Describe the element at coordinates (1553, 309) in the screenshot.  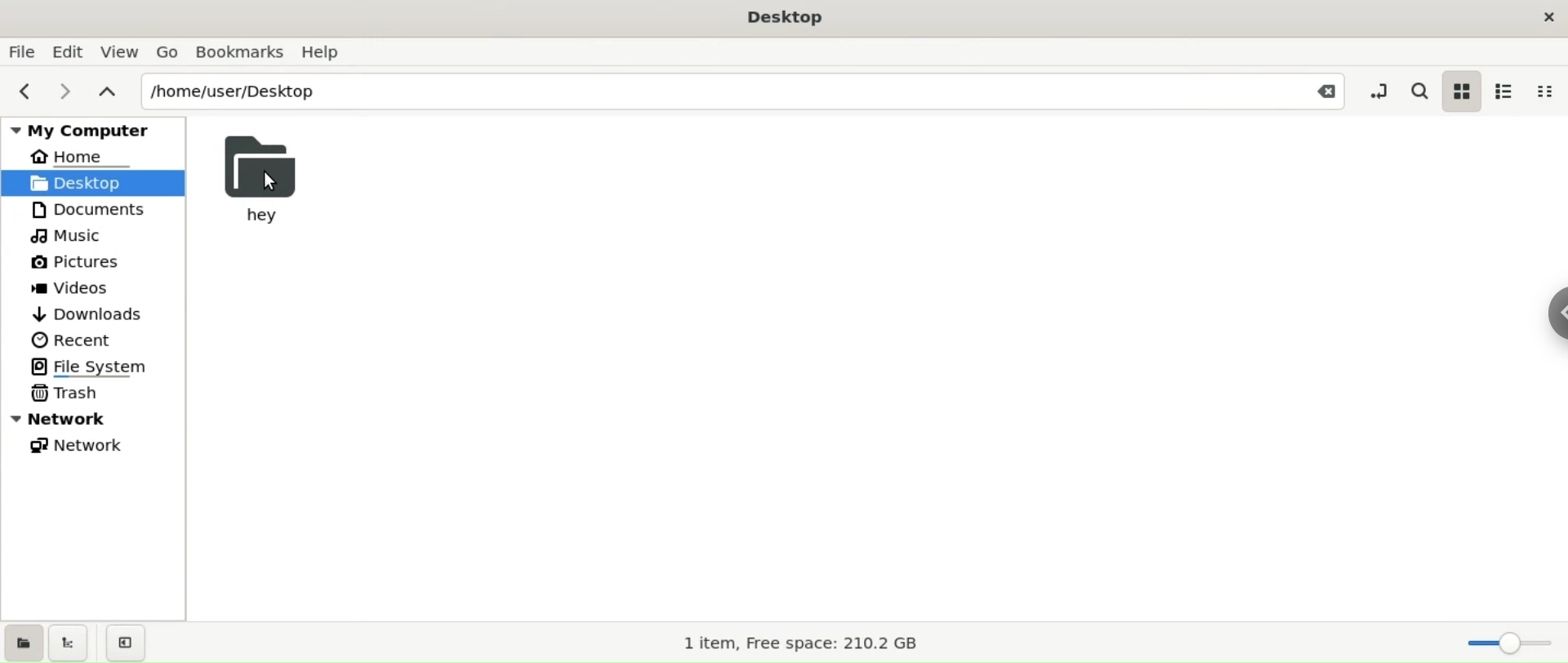
I see `sidebar` at that location.